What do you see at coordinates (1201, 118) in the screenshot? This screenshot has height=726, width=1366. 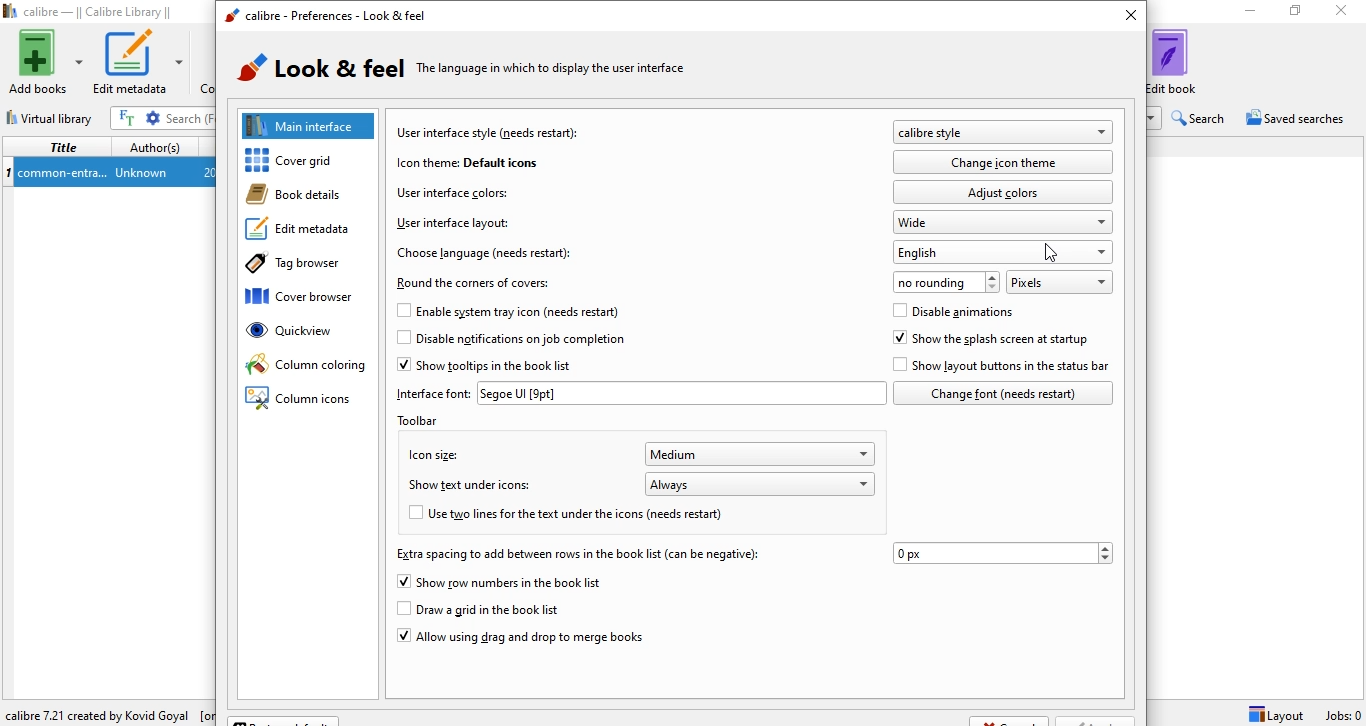 I see `Search` at bounding box center [1201, 118].